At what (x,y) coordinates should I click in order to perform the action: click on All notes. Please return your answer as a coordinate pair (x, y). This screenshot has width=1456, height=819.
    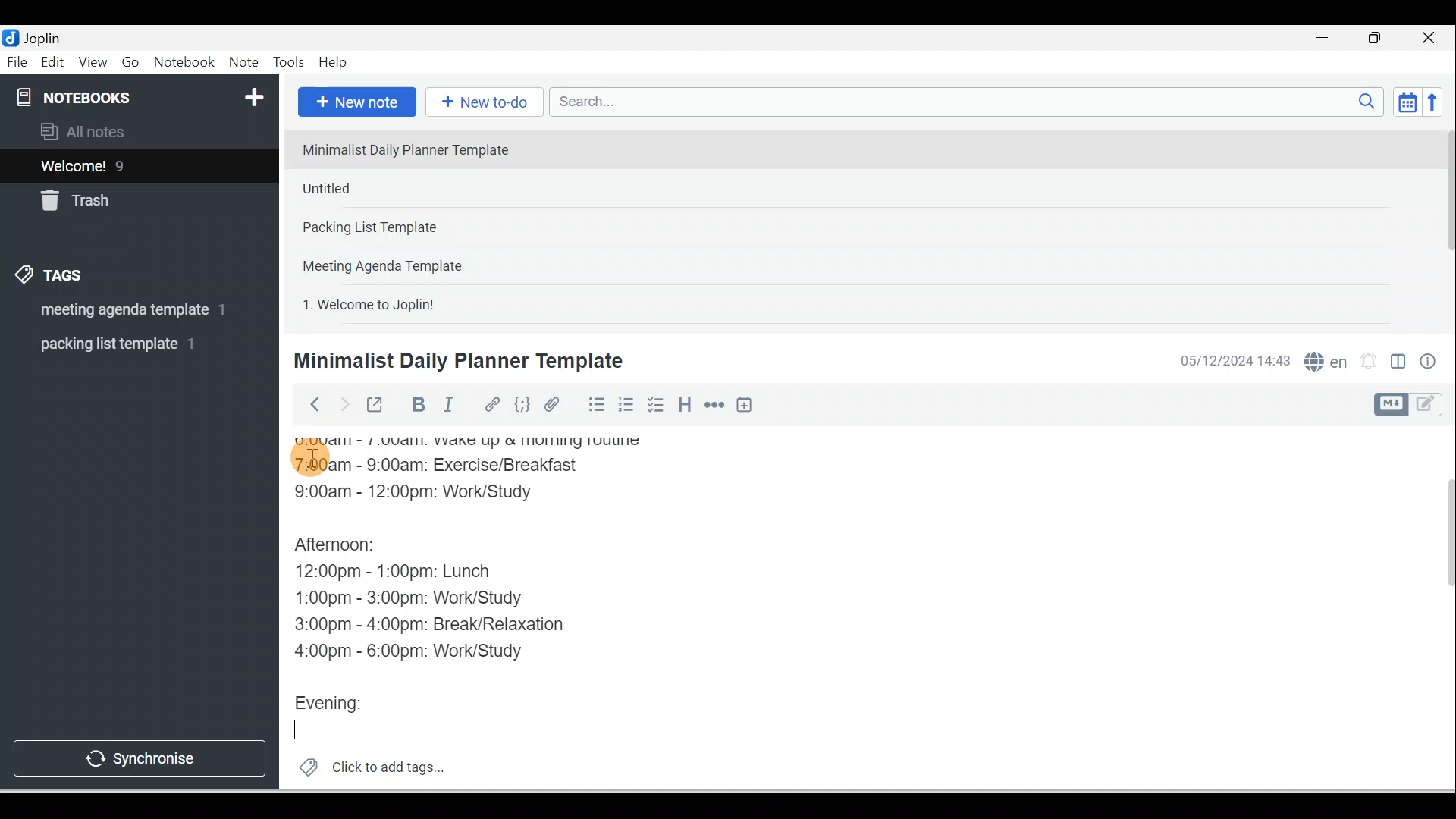
    Looking at the image, I should click on (137, 131).